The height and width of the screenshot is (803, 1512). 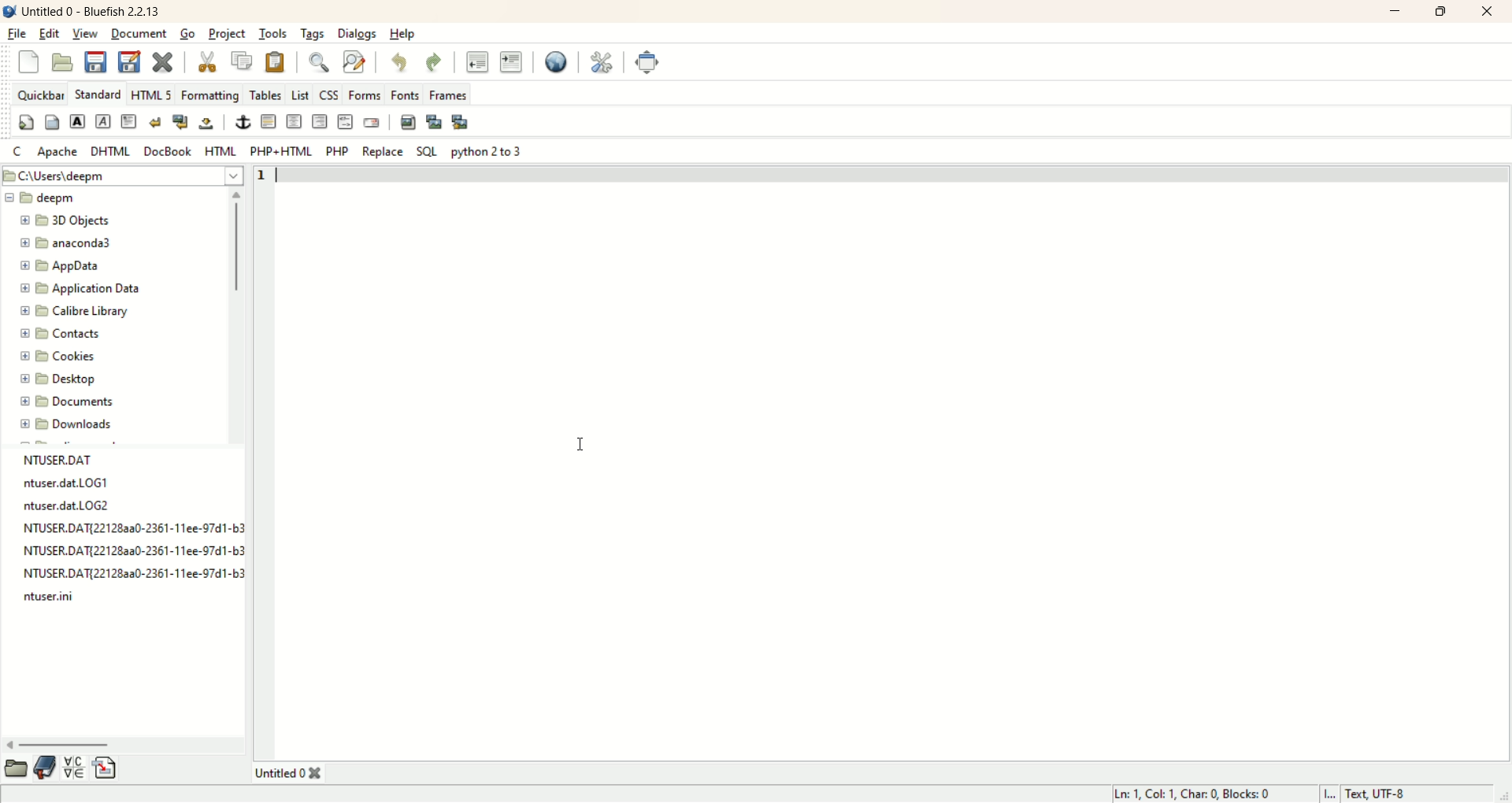 What do you see at coordinates (406, 32) in the screenshot?
I see `help` at bounding box center [406, 32].